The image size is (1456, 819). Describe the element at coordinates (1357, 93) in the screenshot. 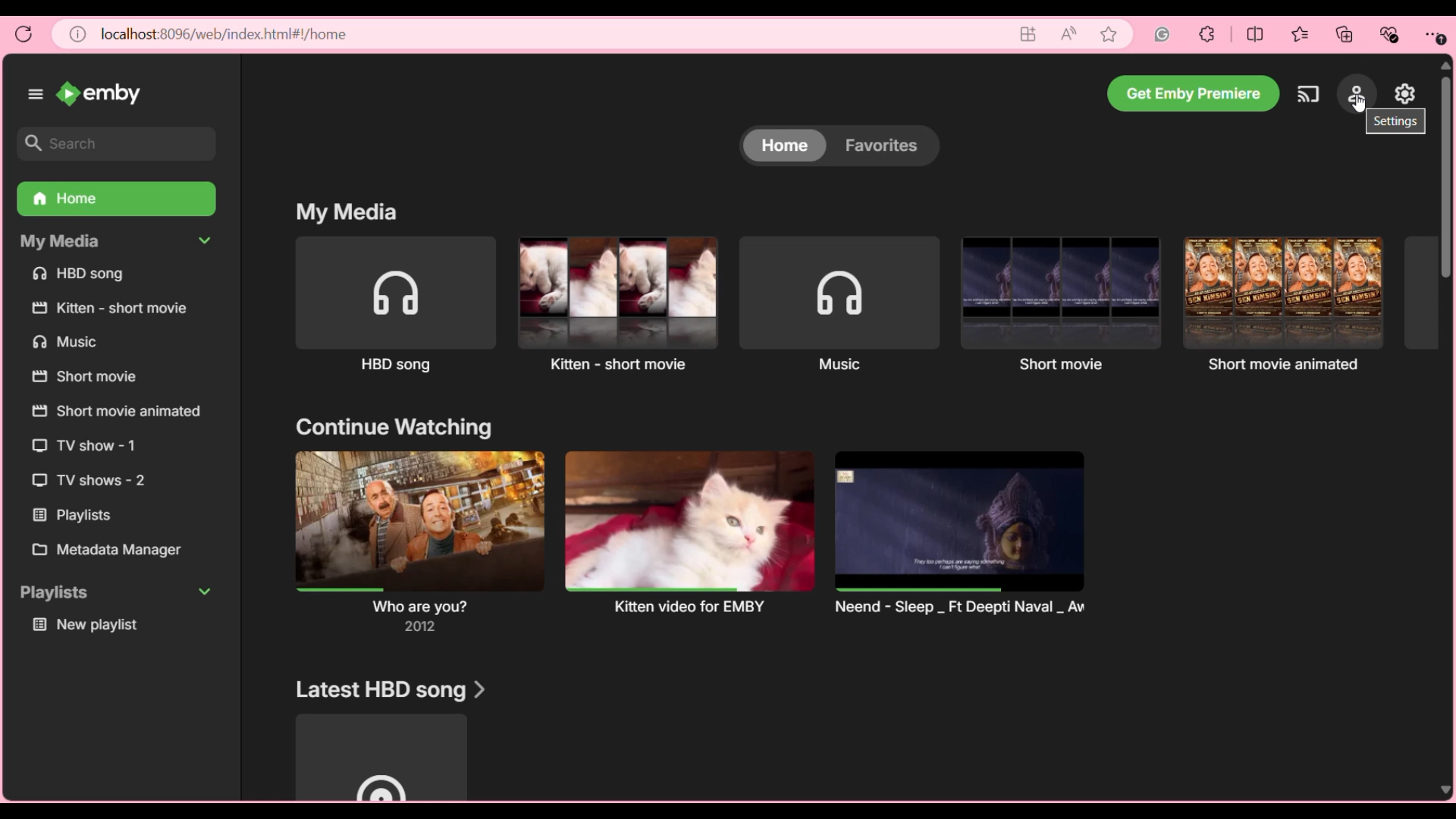

I see `Settings` at that location.